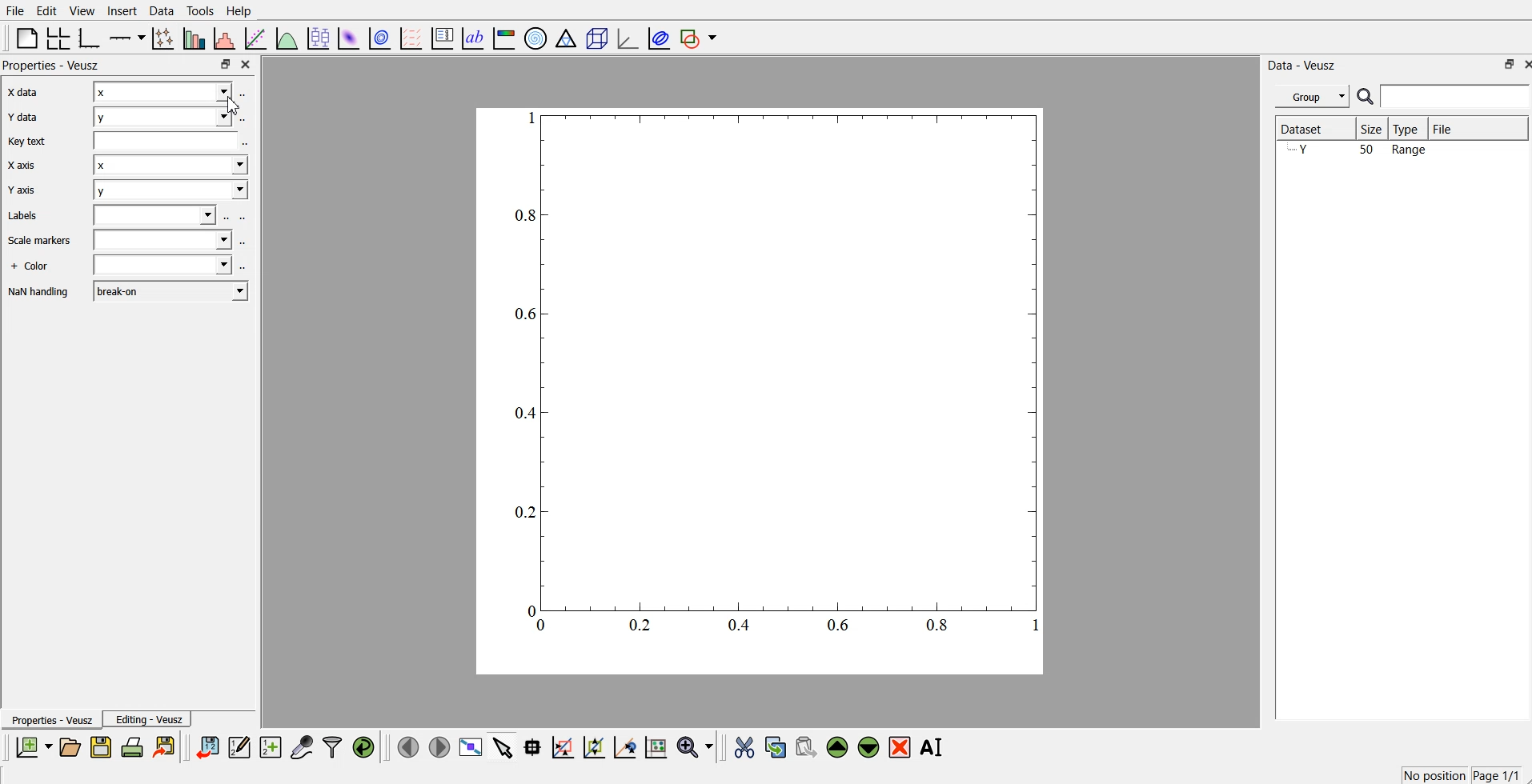 The width and height of the screenshot is (1532, 784). Describe the element at coordinates (1432, 774) in the screenshot. I see `no position` at that location.